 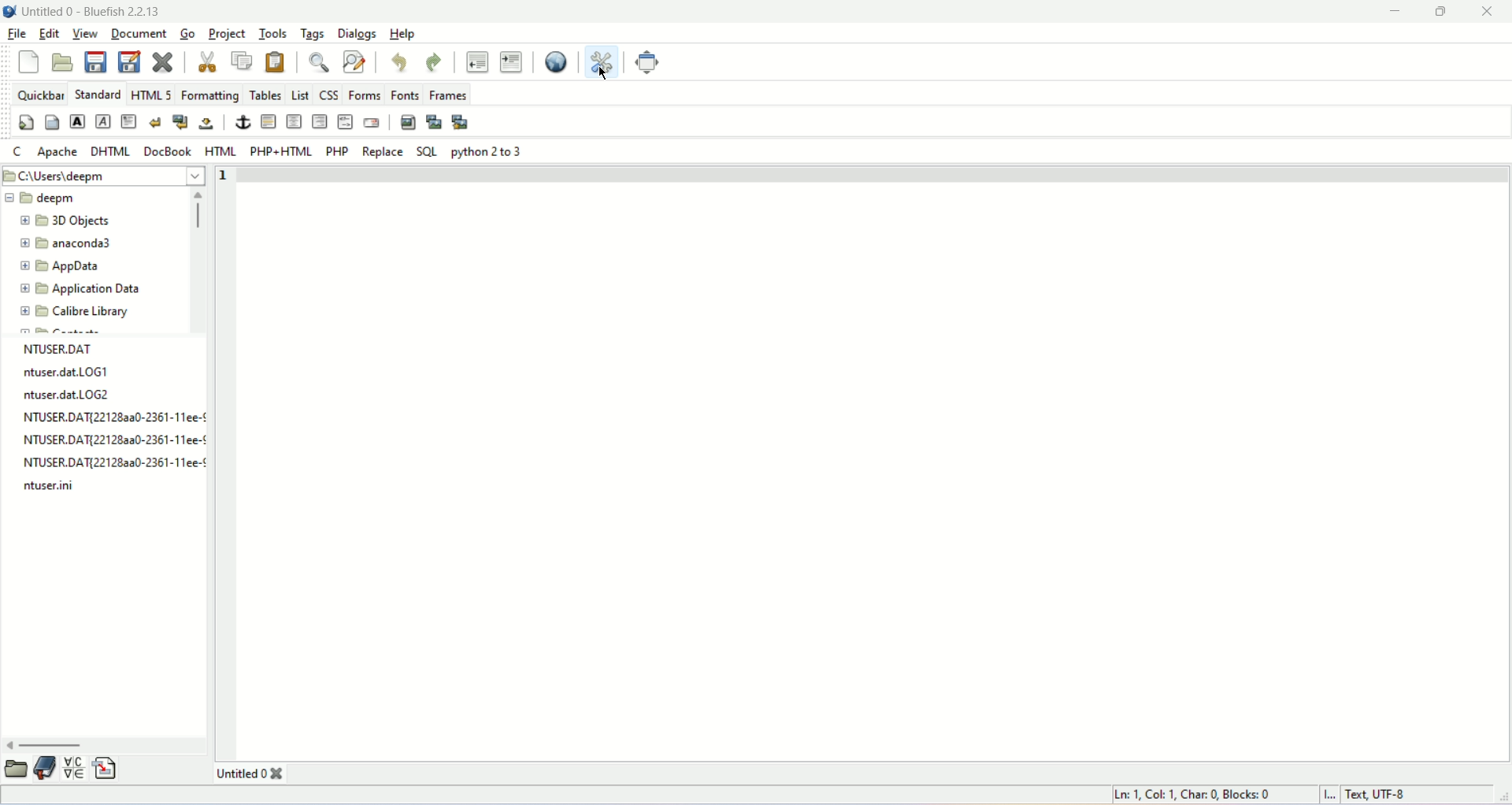 What do you see at coordinates (406, 95) in the screenshot?
I see `fonts` at bounding box center [406, 95].